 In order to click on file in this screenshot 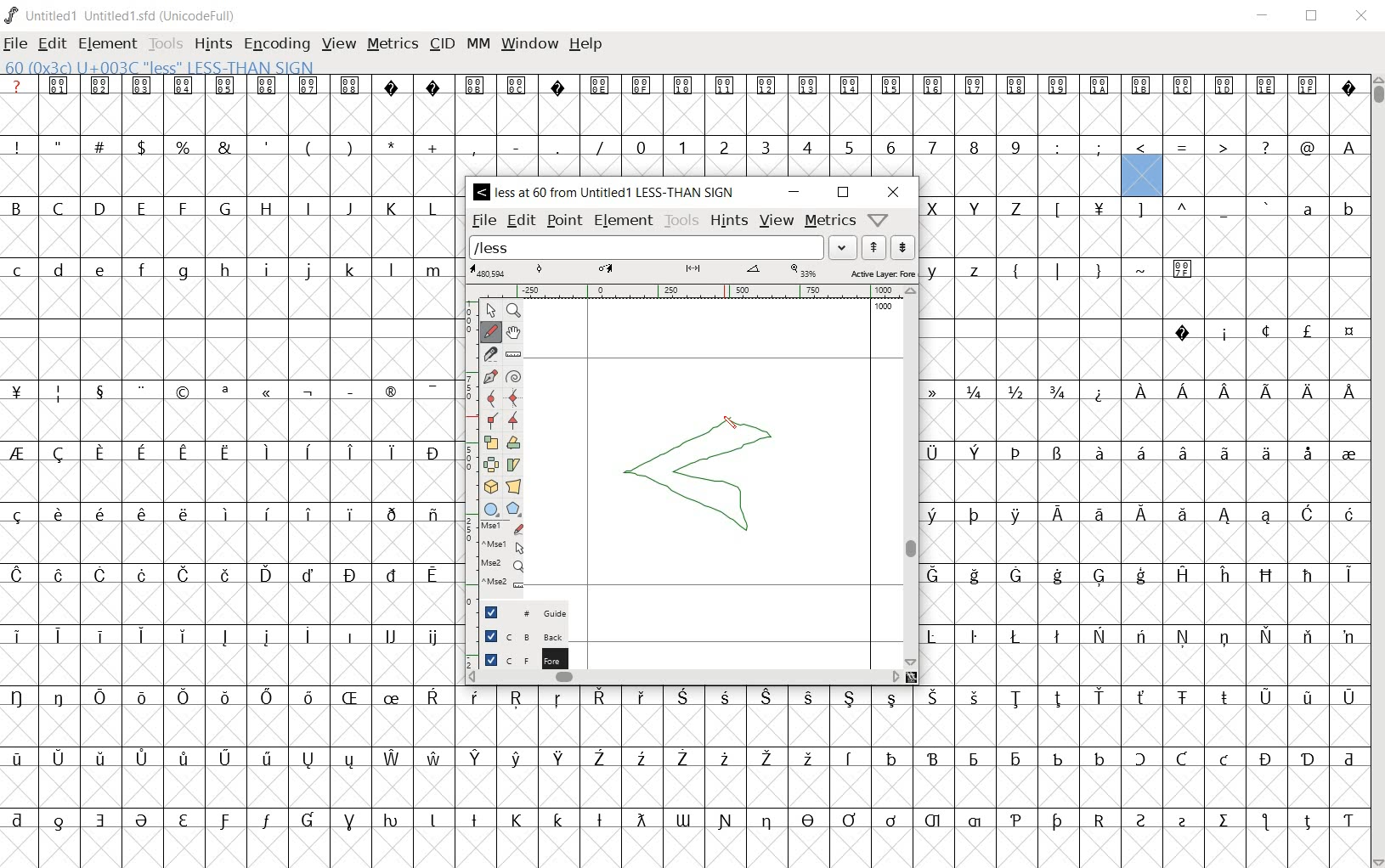, I will do `click(484, 220)`.